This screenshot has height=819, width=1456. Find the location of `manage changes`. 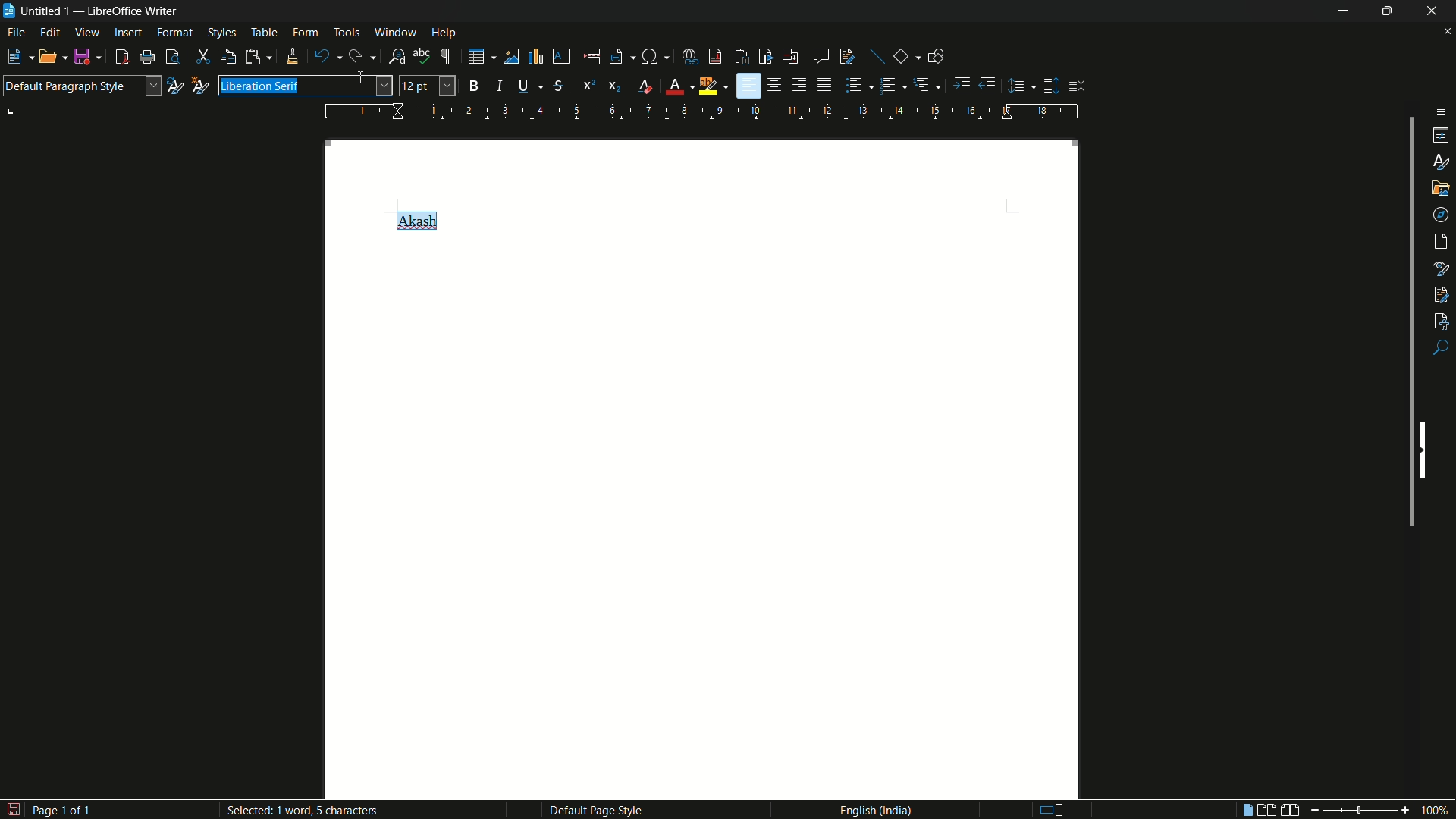

manage changes is located at coordinates (1441, 293).